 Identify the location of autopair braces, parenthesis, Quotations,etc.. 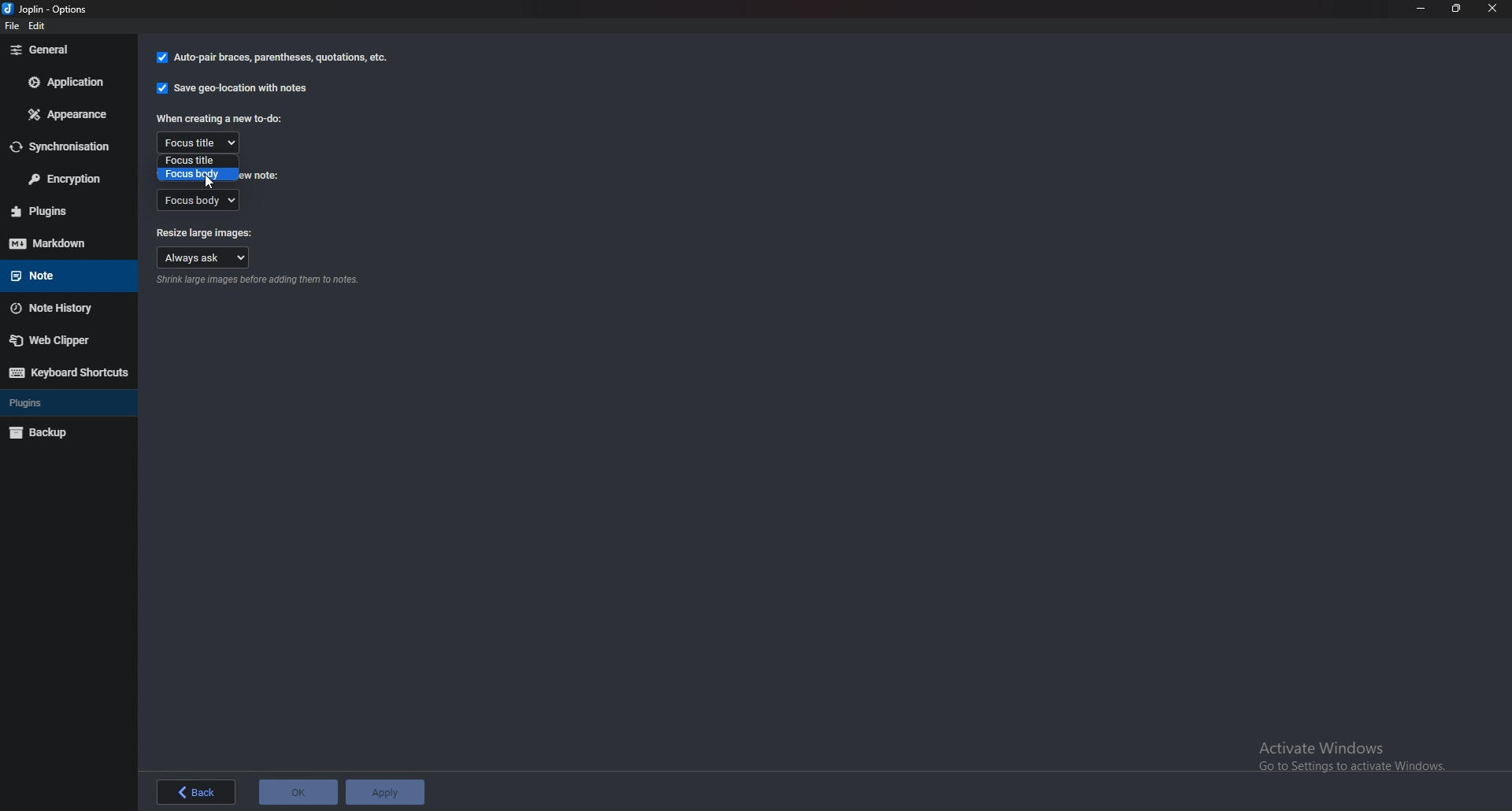
(270, 60).